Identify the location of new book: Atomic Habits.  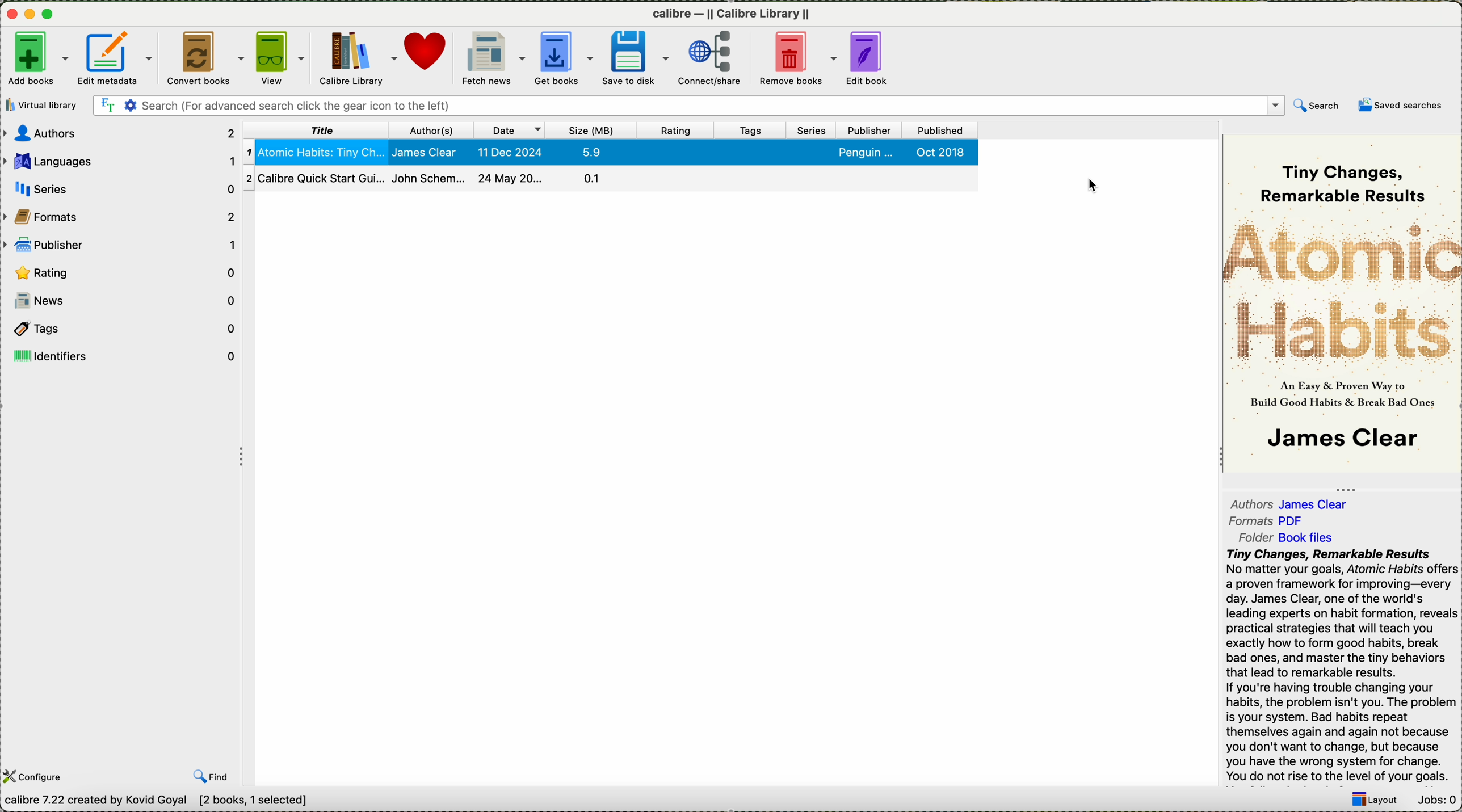
(611, 152).